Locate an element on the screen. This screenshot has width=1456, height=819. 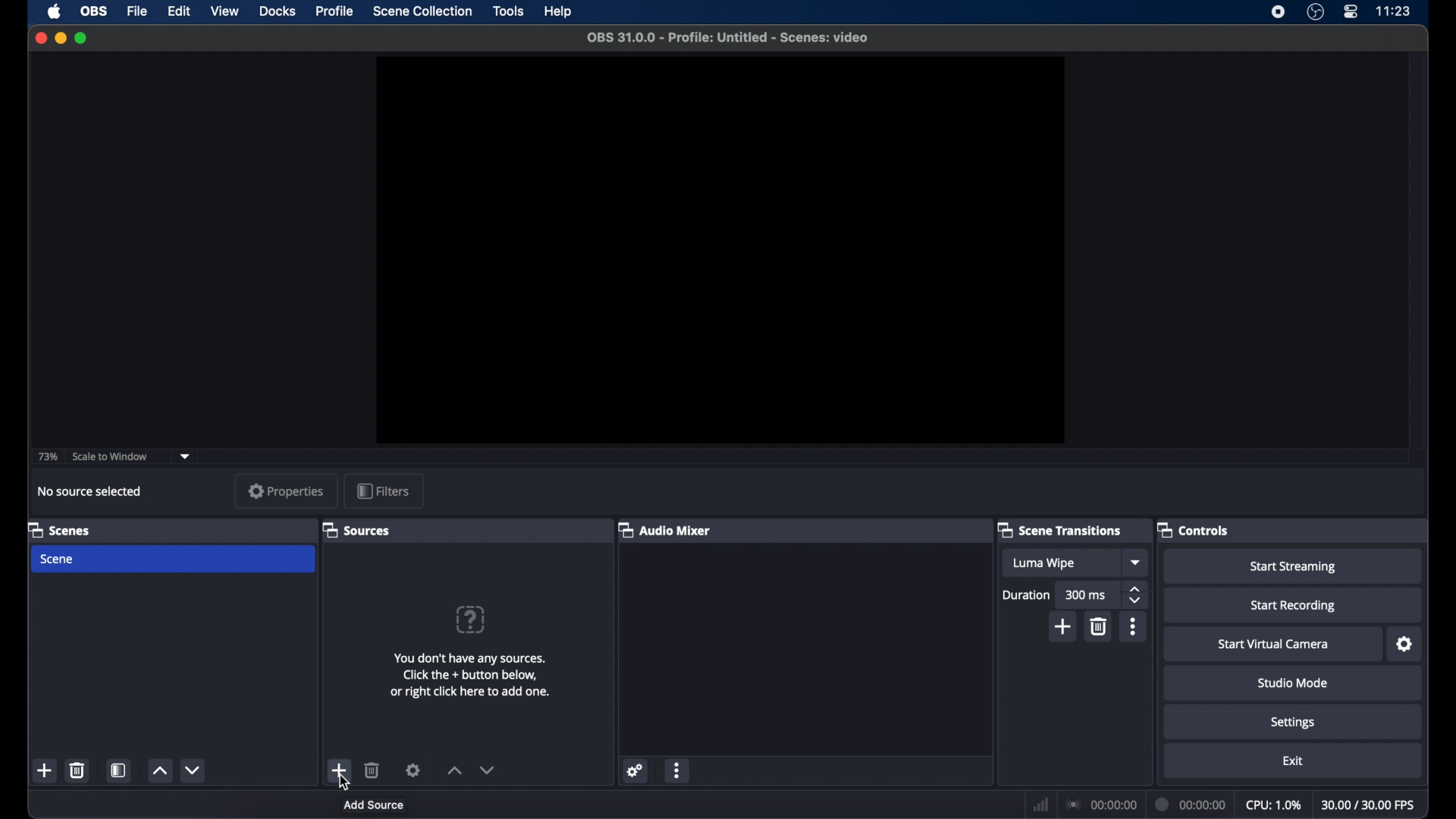
settings is located at coordinates (635, 771).